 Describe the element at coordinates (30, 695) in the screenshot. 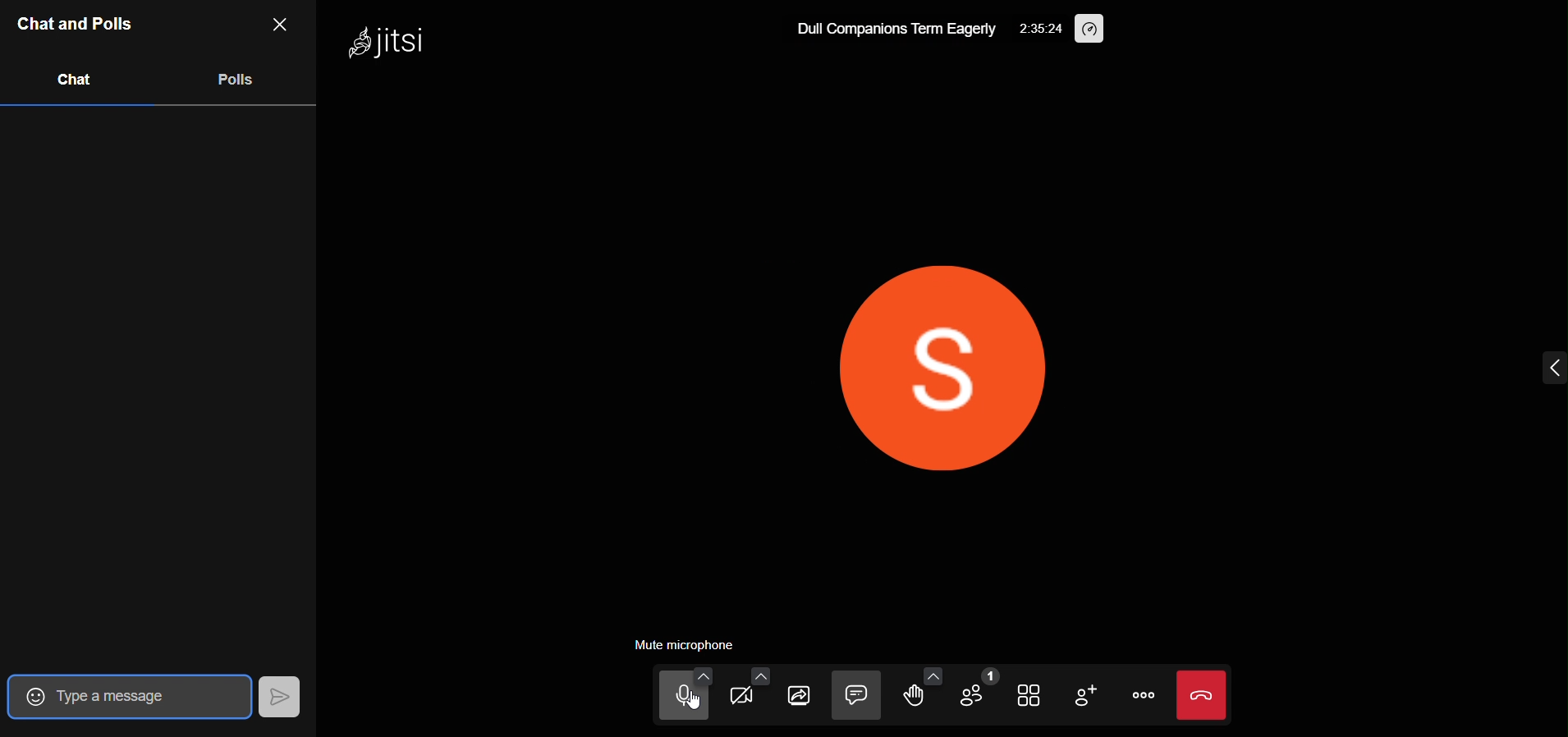

I see `emoji` at that location.